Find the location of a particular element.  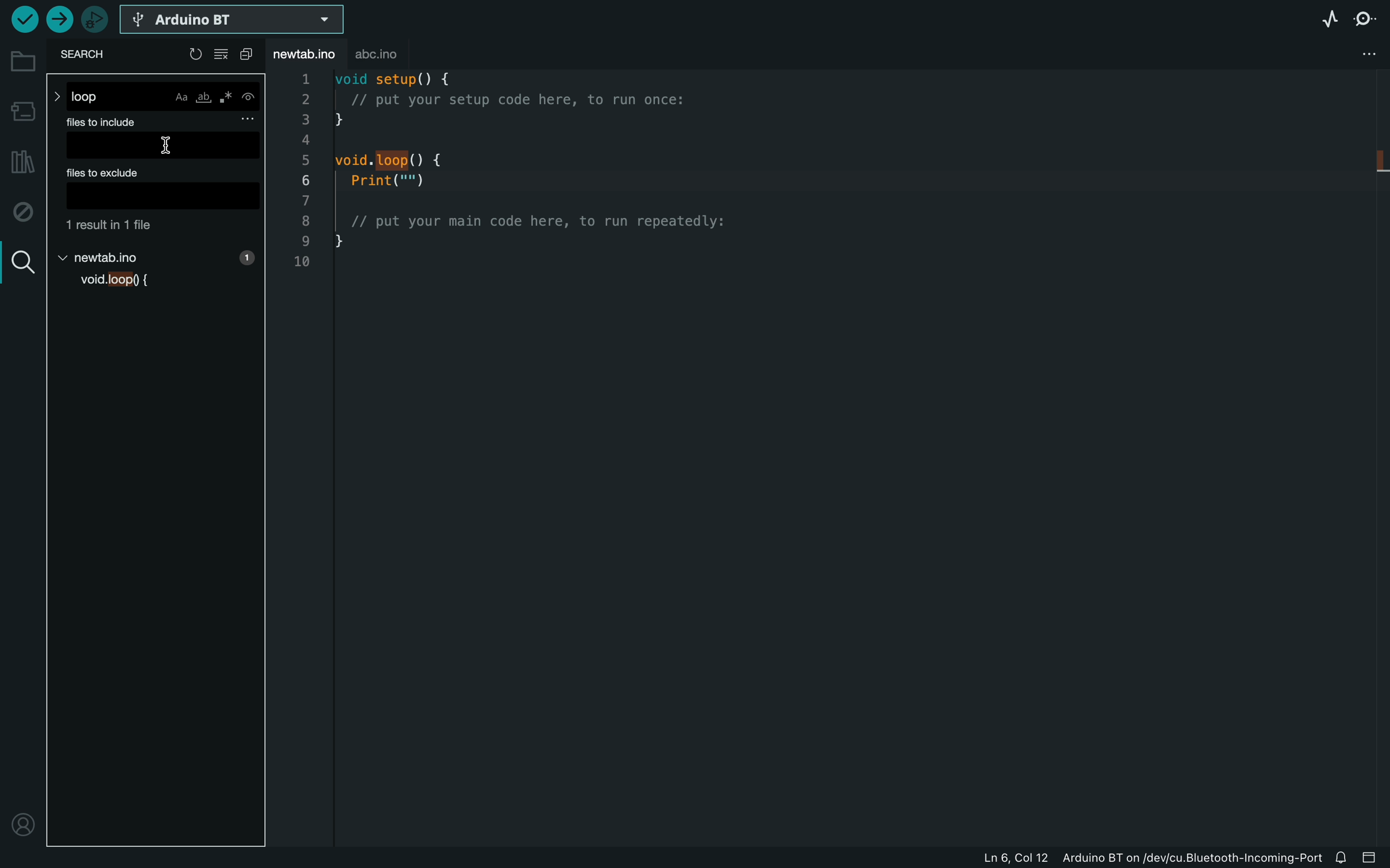

serial plotter is located at coordinates (1327, 21).